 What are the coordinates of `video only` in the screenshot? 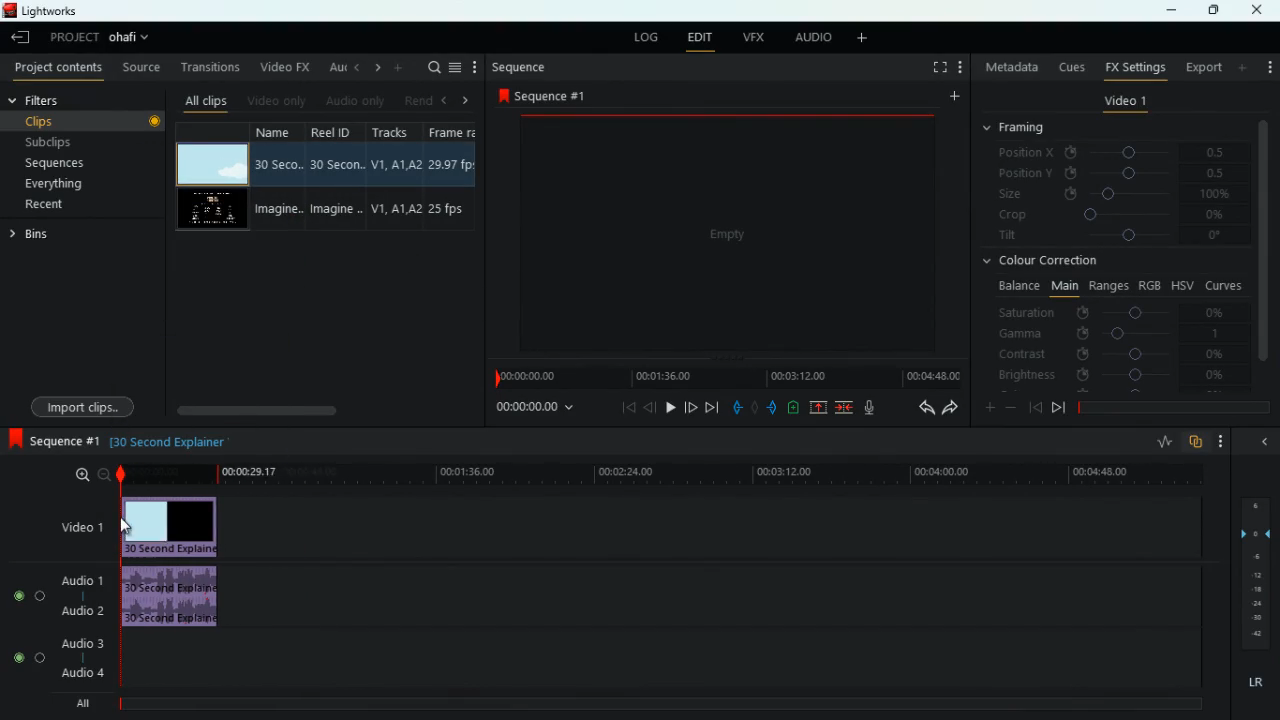 It's located at (274, 101).